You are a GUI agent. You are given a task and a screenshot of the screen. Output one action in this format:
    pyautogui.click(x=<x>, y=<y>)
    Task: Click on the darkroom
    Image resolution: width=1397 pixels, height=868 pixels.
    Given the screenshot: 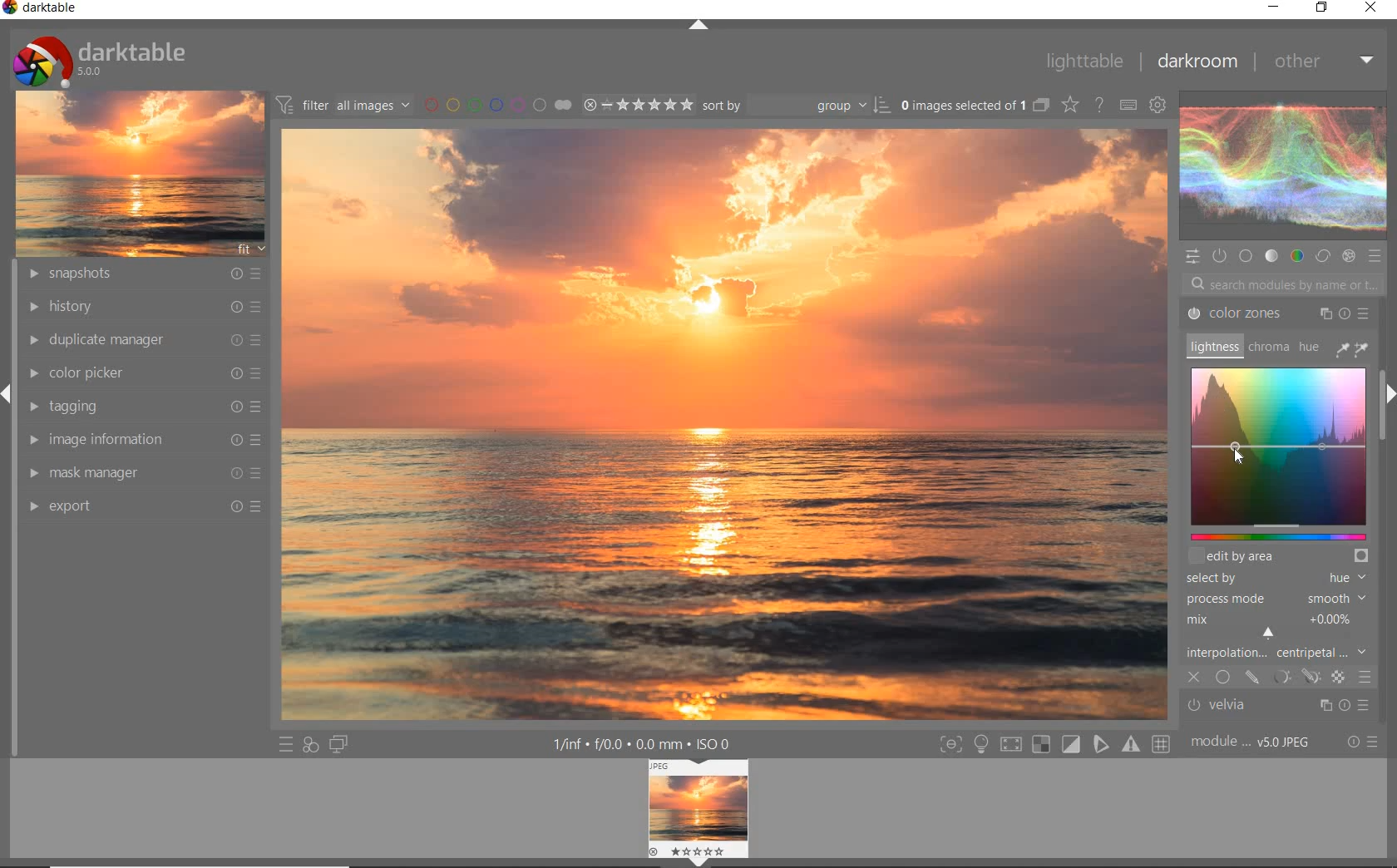 What is the action you would take?
    pyautogui.click(x=1201, y=62)
    